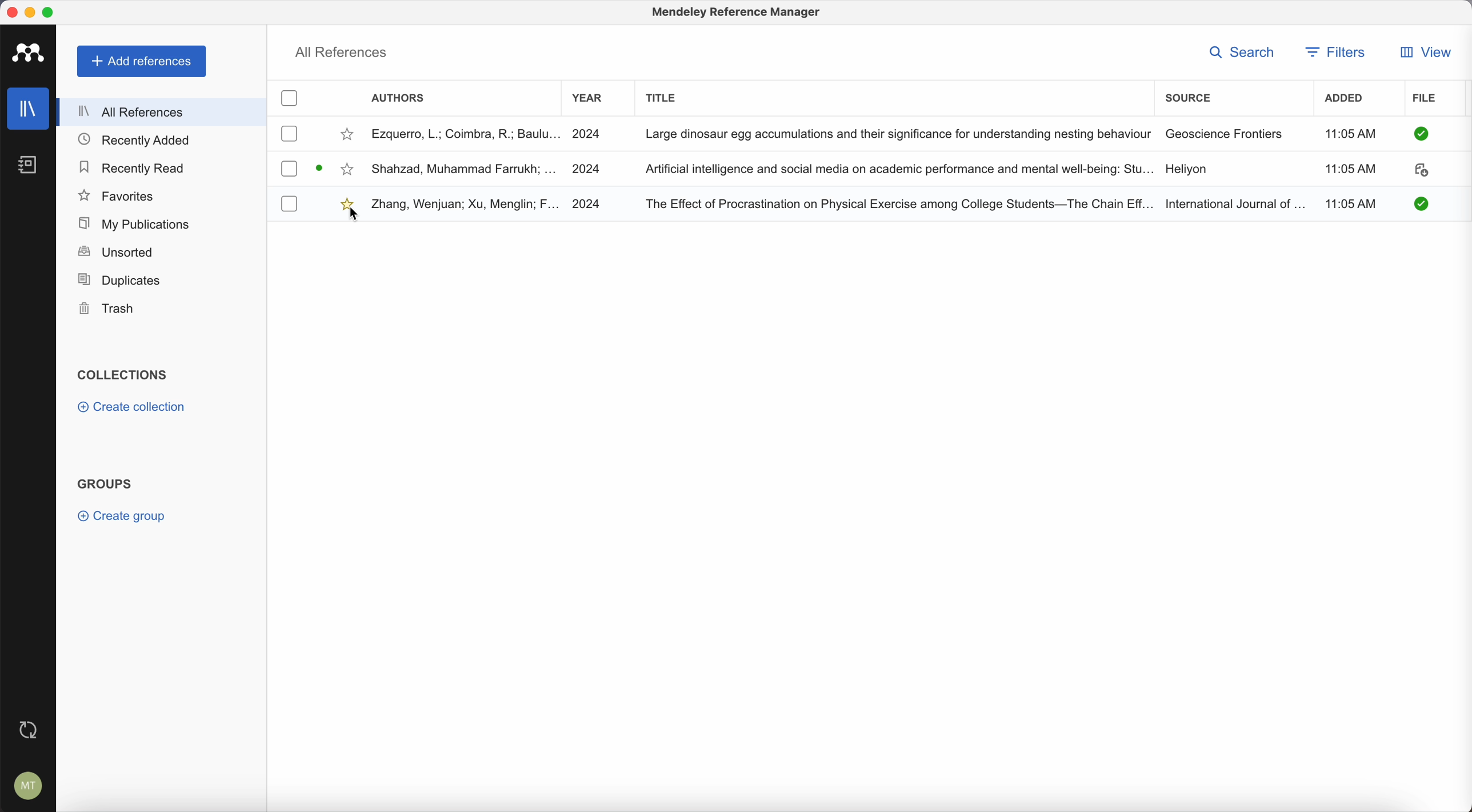 Image resolution: width=1472 pixels, height=812 pixels. What do you see at coordinates (464, 168) in the screenshot?
I see `Shahzad, Muhammad Farrukh;...` at bounding box center [464, 168].